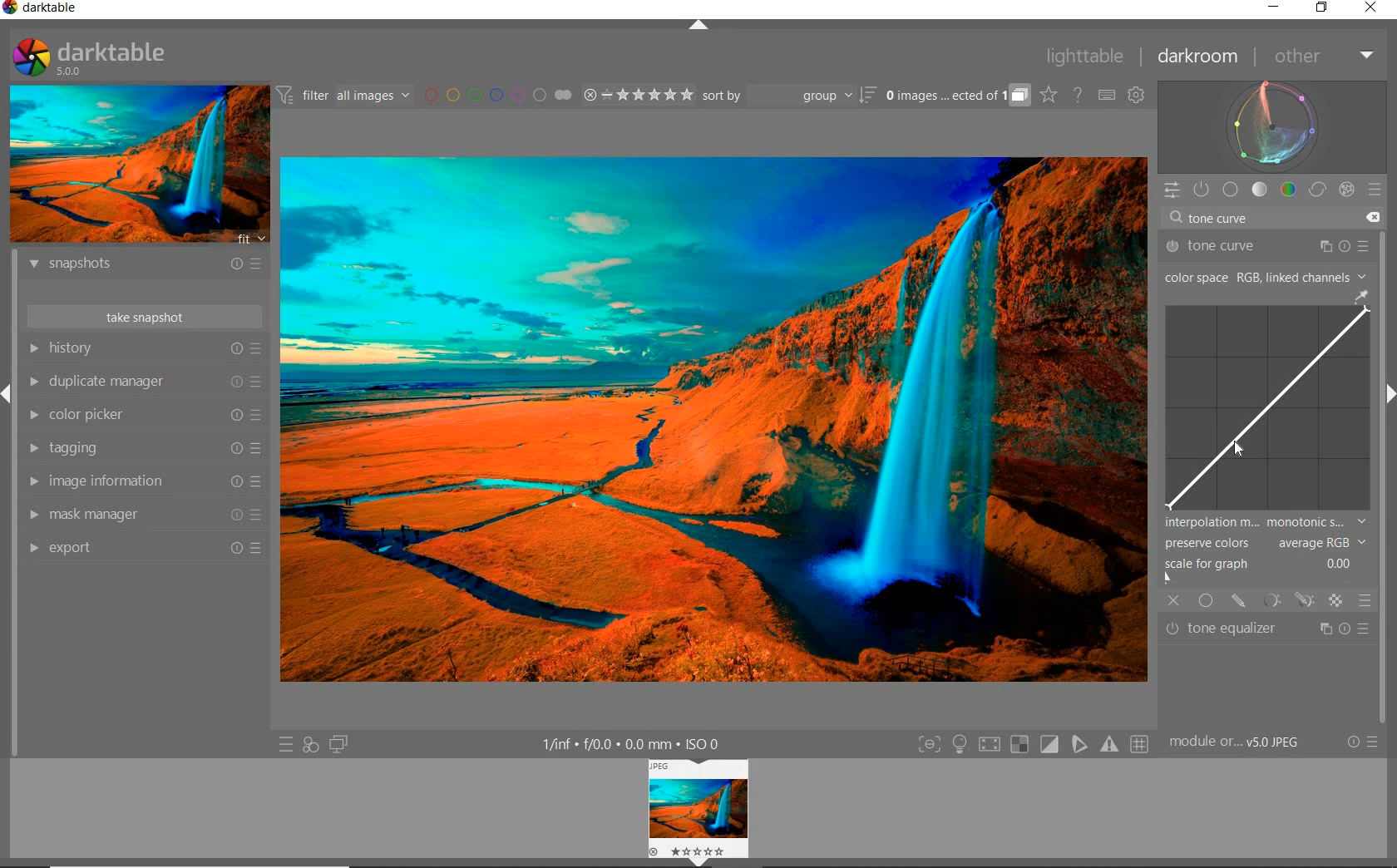  I want to click on lighttable, so click(1089, 57).